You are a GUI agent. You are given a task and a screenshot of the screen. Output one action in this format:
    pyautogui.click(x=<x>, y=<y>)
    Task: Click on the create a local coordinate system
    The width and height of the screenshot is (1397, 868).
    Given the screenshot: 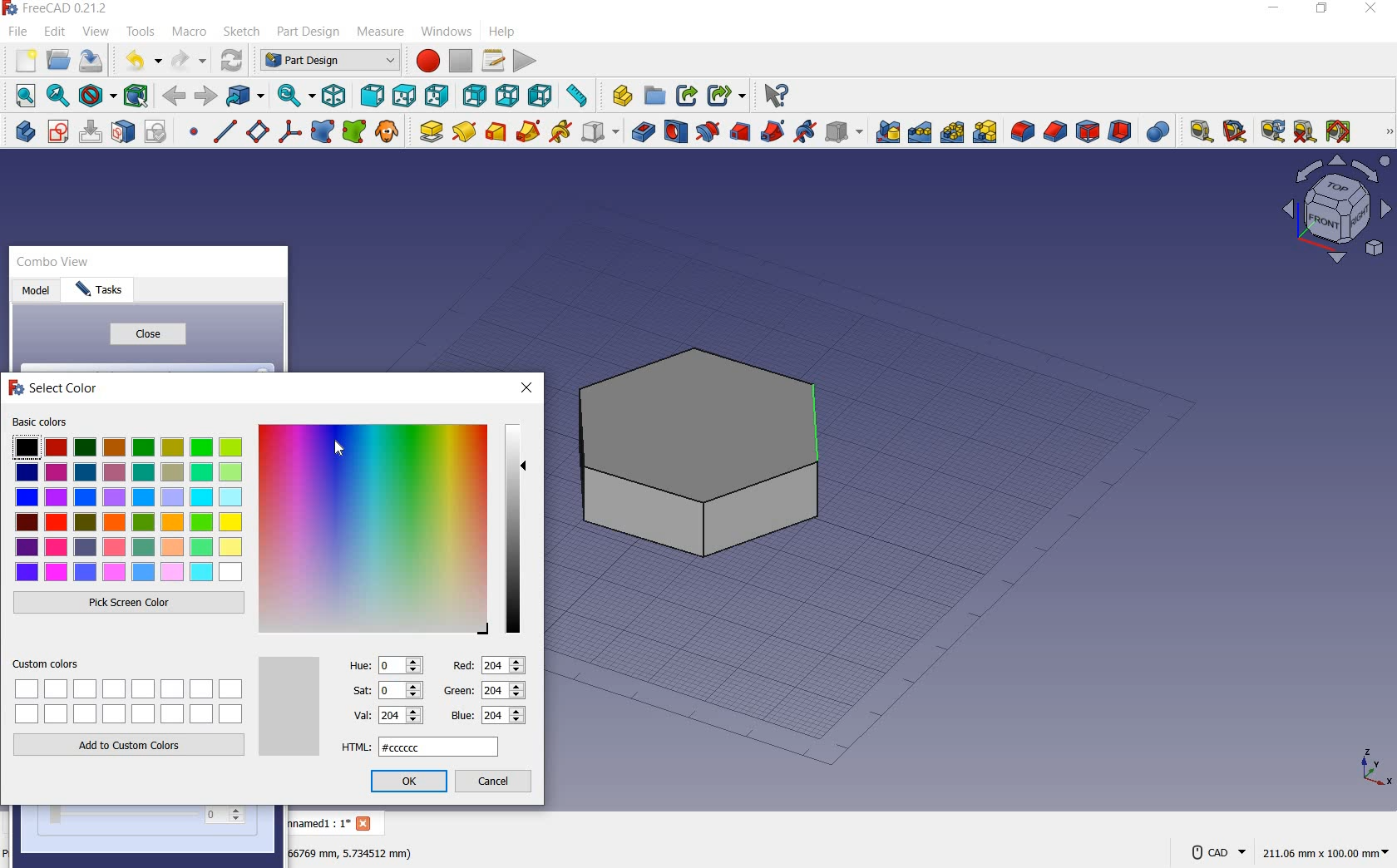 What is the action you would take?
    pyautogui.click(x=289, y=134)
    